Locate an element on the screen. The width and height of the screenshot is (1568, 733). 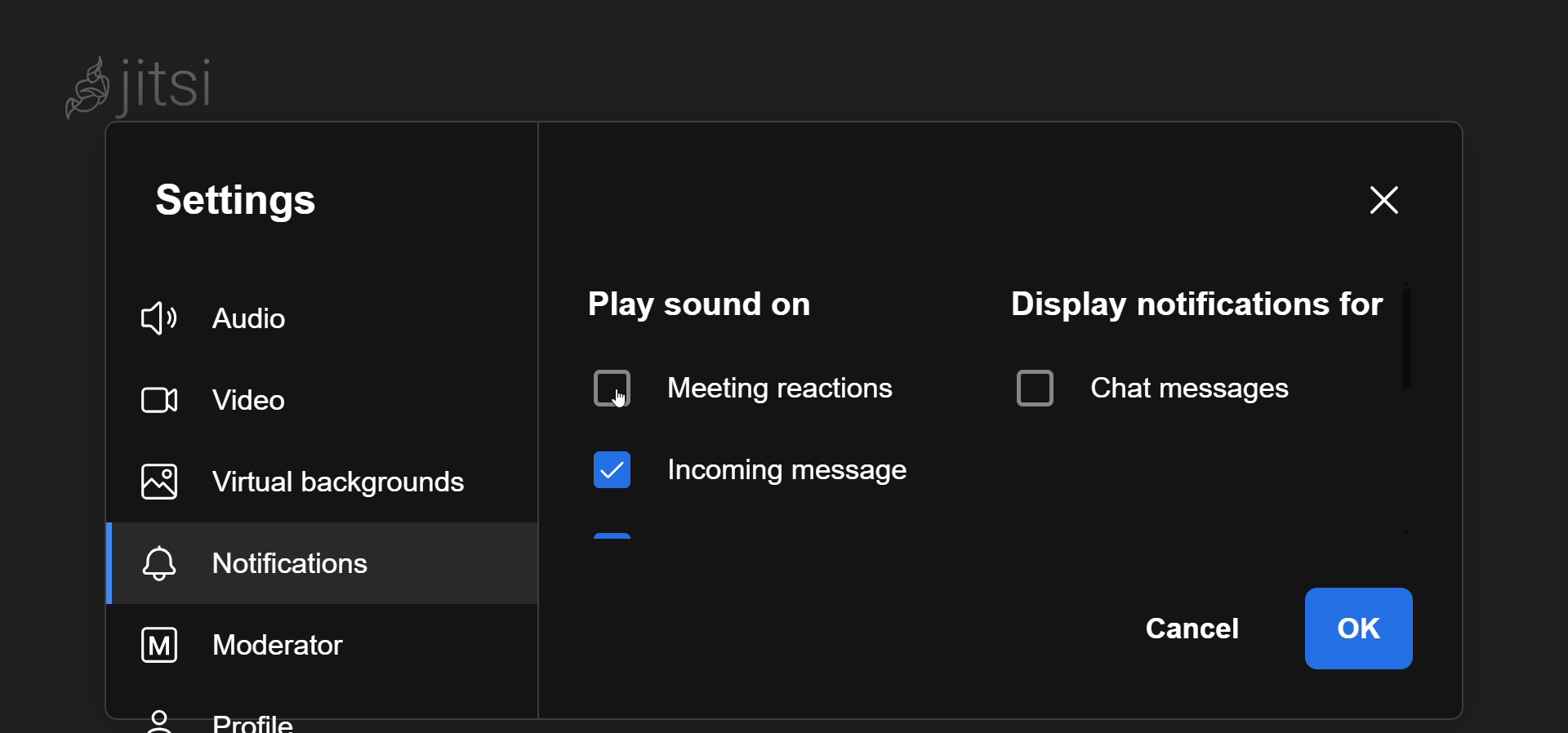
chat messages is located at coordinates (1160, 386).